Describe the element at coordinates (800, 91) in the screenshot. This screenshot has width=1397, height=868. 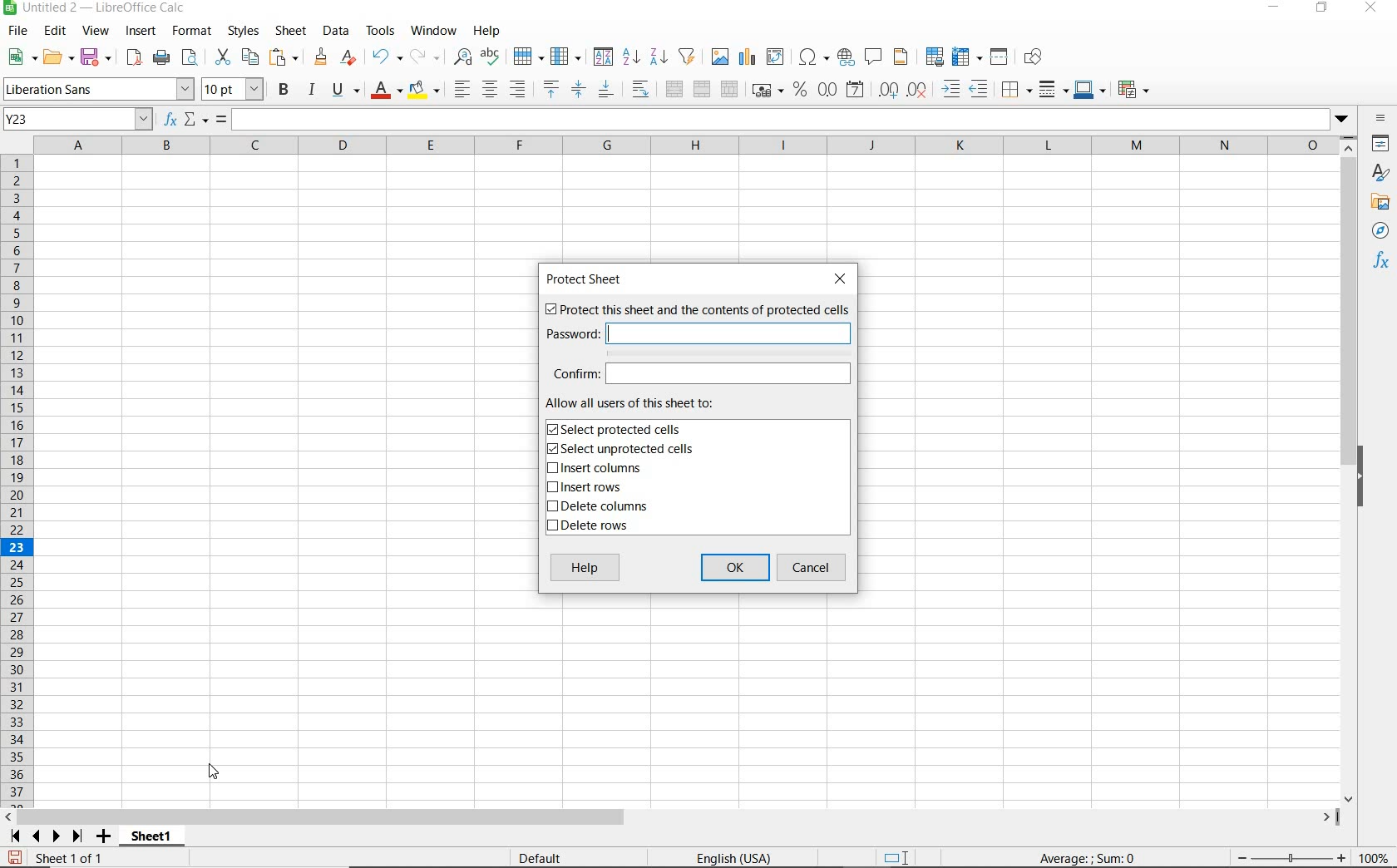
I see `FORMAT AS PERCENT` at that location.